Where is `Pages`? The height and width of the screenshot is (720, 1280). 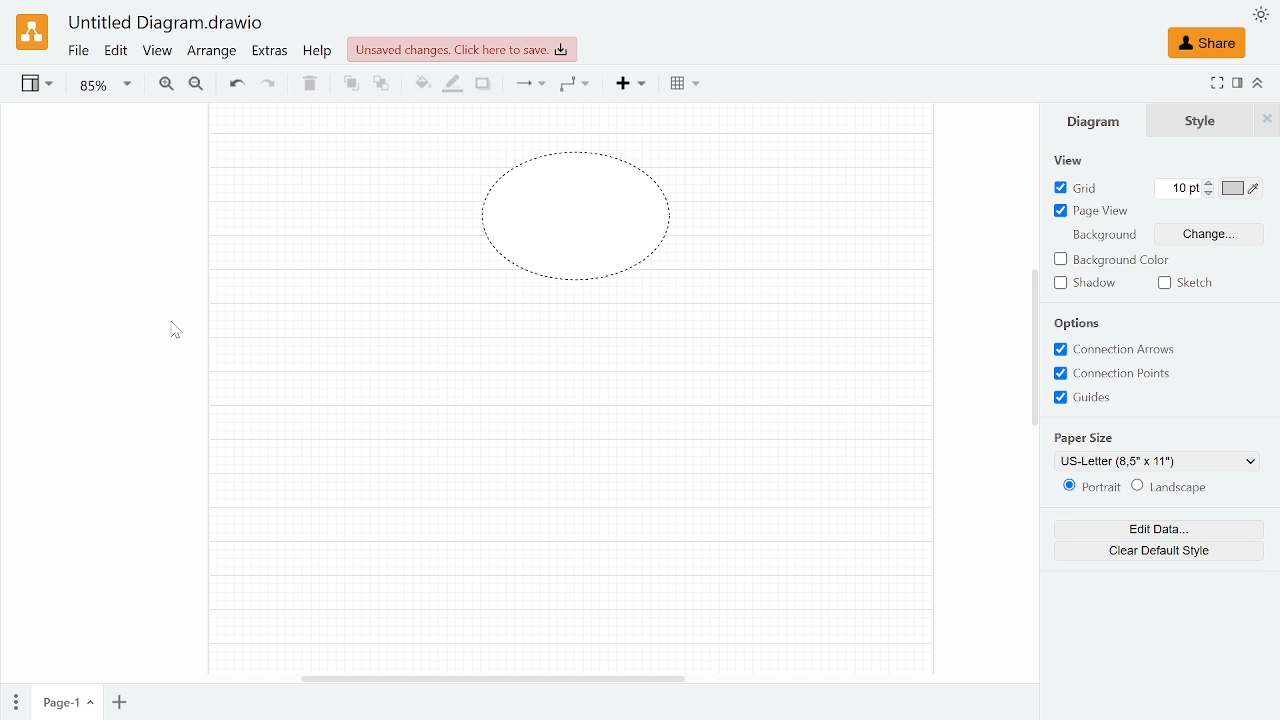
Pages is located at coordinates (16, 701).